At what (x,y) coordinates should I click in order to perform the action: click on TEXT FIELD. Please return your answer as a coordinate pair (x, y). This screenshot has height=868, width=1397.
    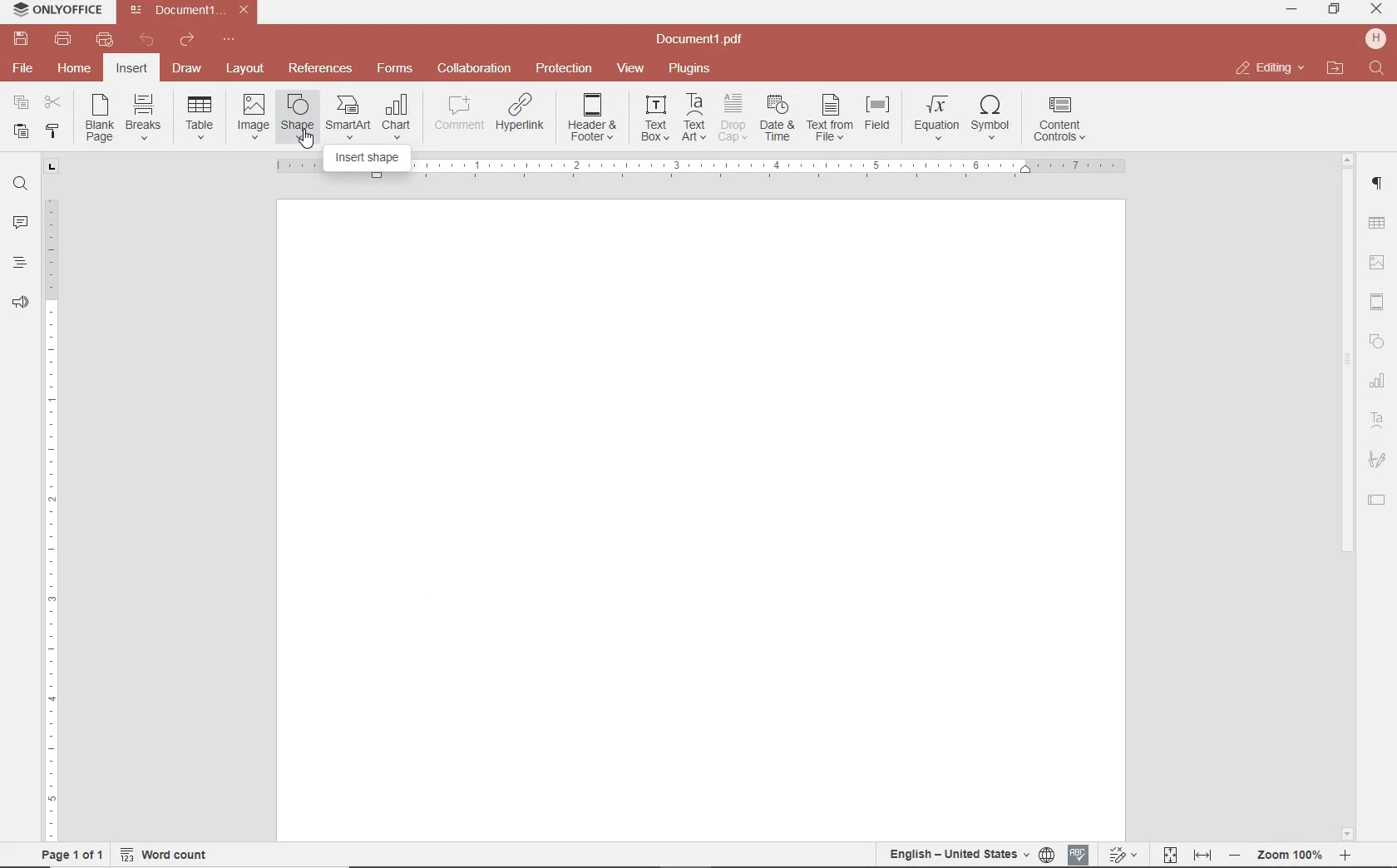
    Looking at the image, I should click on (1377, 499).